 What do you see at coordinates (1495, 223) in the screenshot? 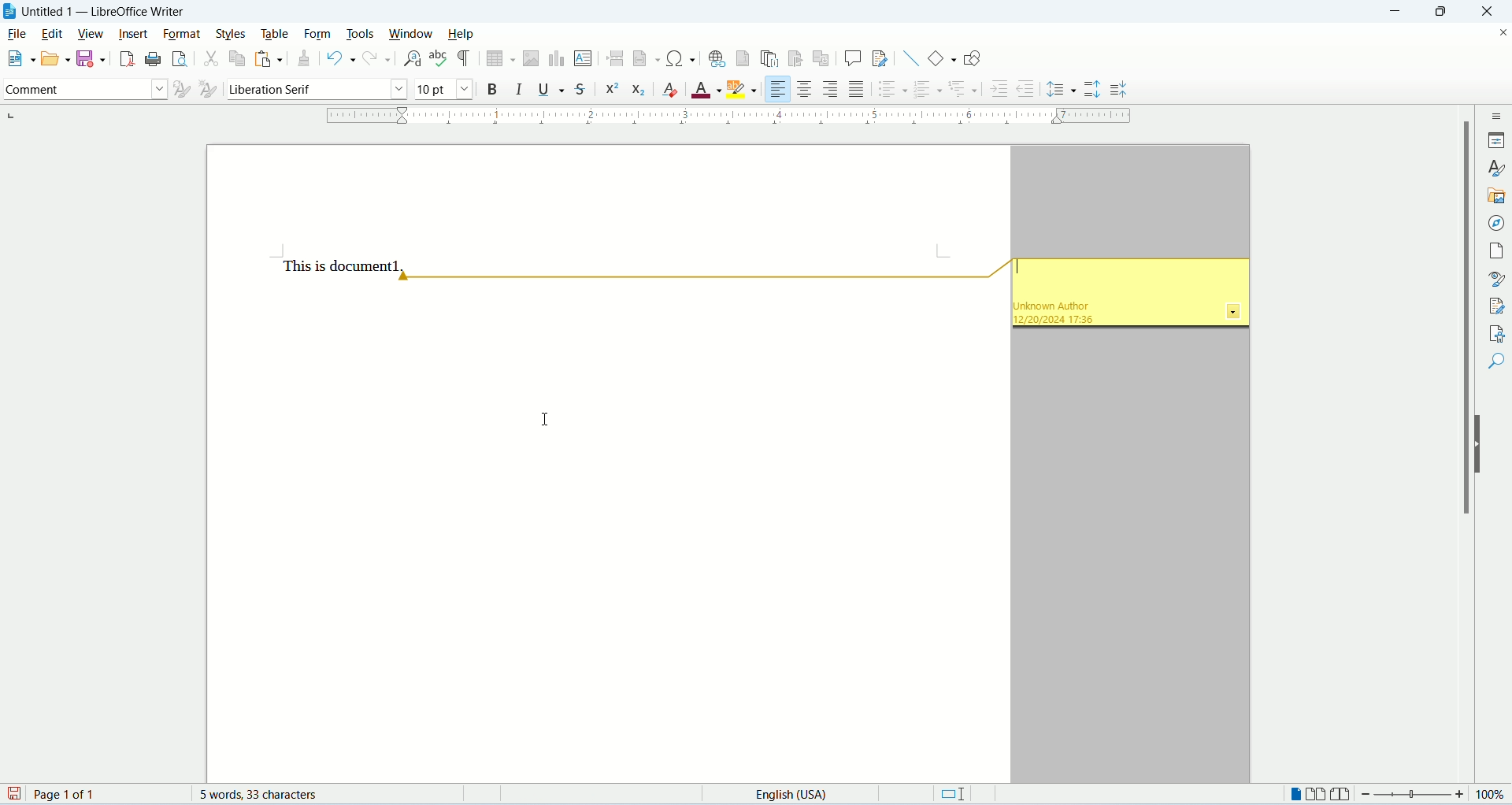
I see `navigator` at bounding box center [1495, 223].